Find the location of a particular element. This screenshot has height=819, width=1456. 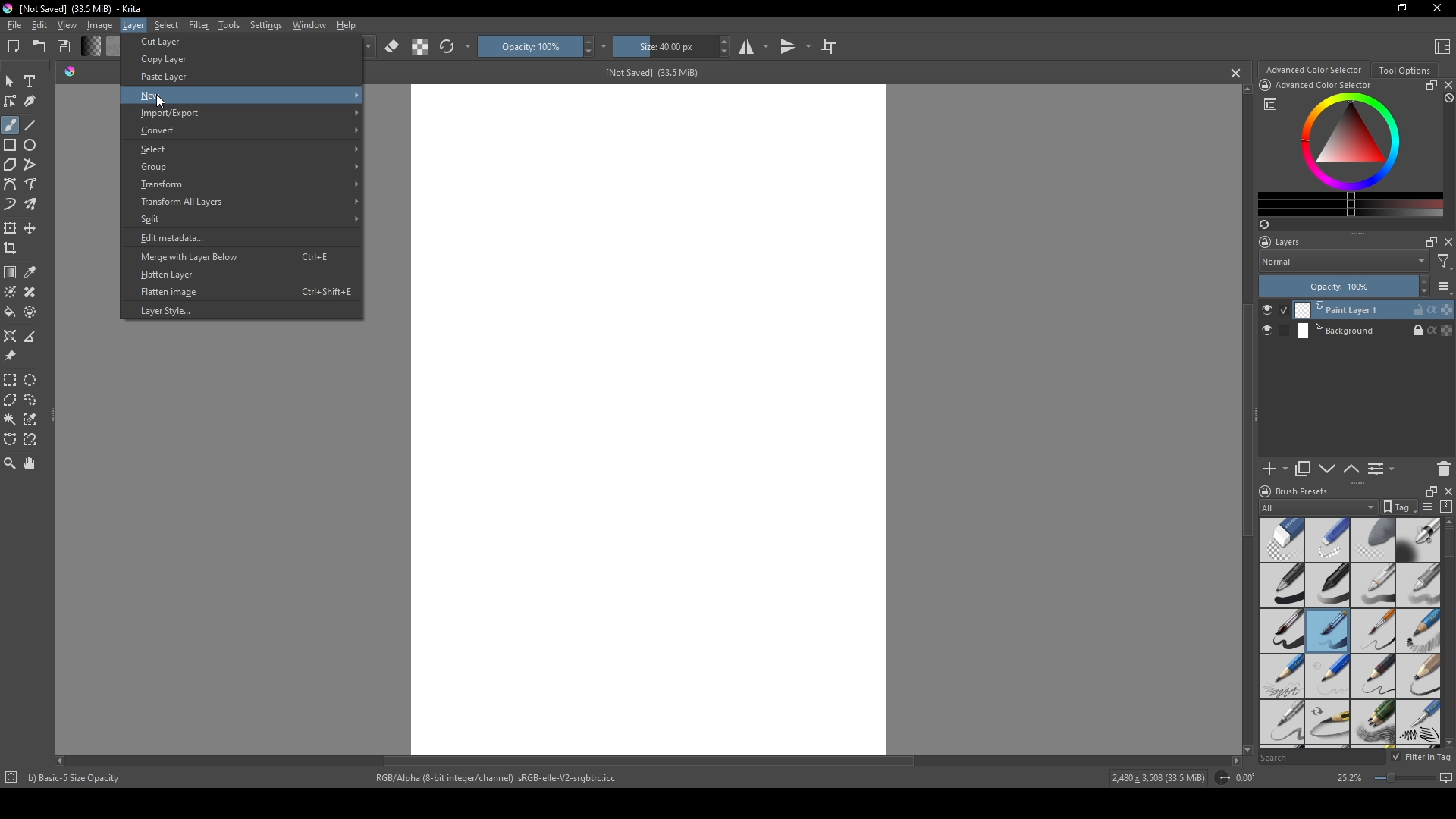

Layers is located at coordinates (1284, 242).